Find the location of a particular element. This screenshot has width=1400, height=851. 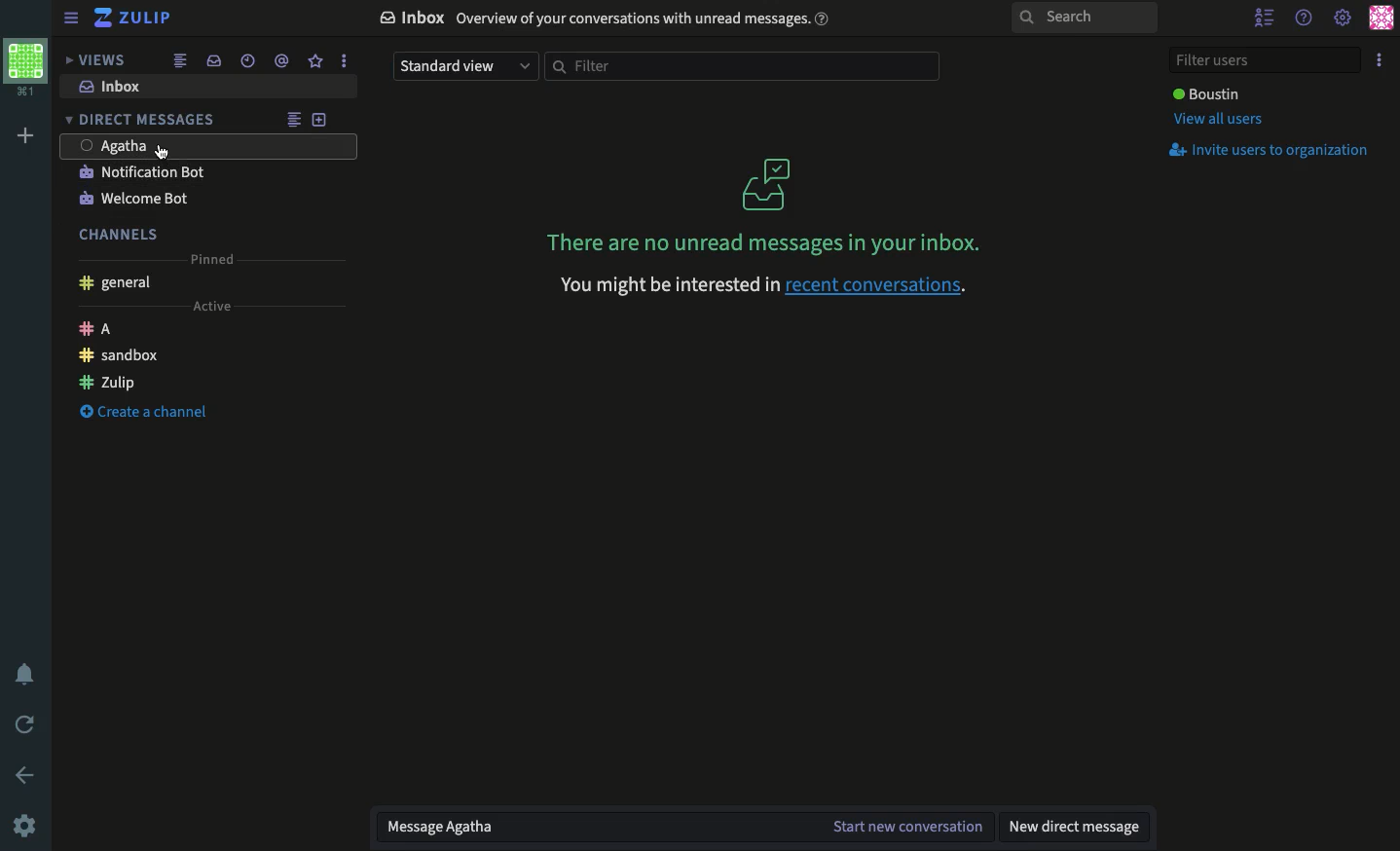

Welcome bot is located at coordinates (135, 200).